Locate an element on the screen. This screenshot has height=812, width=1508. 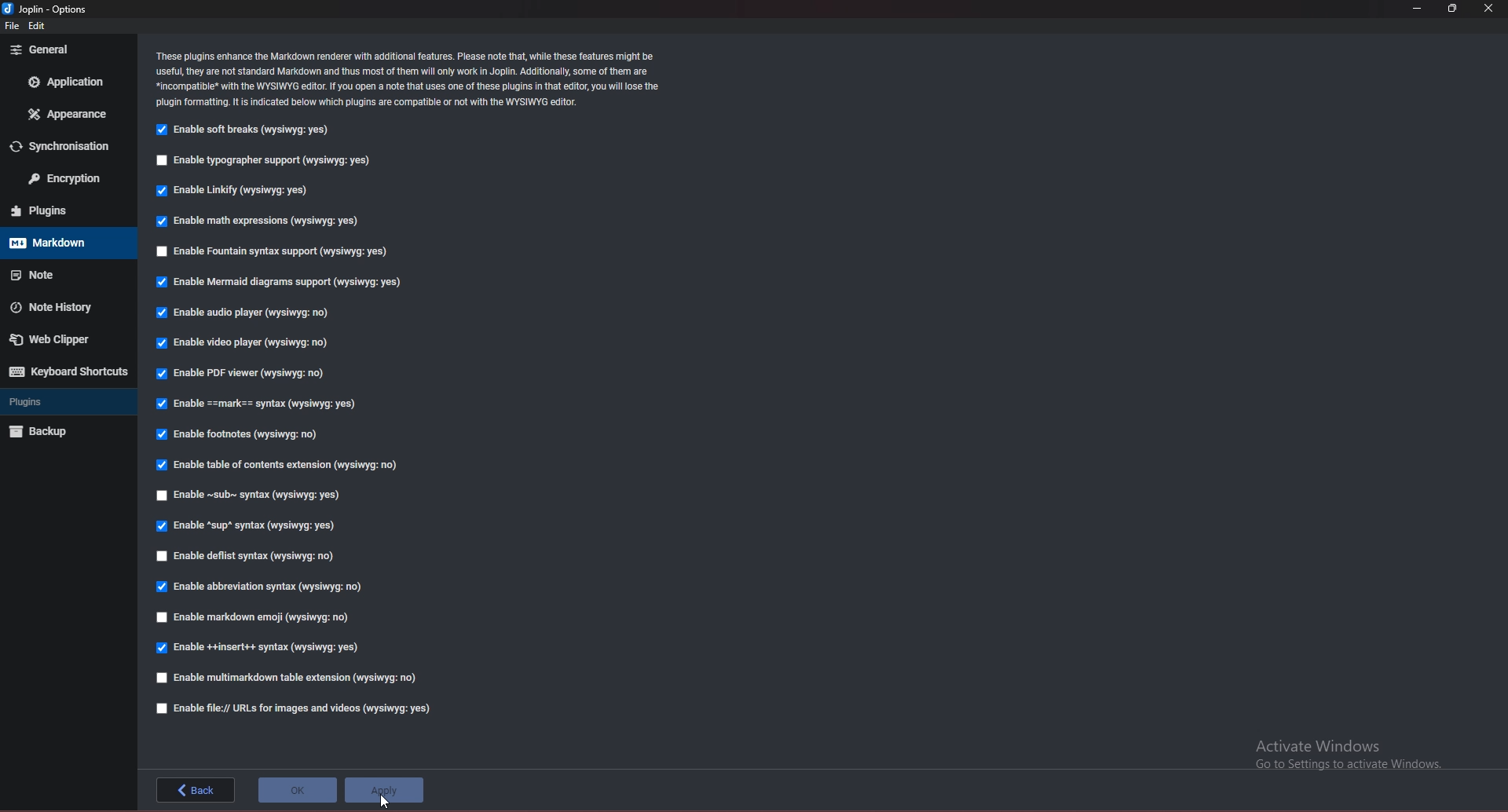
ok is located at coordinates (298, 790).